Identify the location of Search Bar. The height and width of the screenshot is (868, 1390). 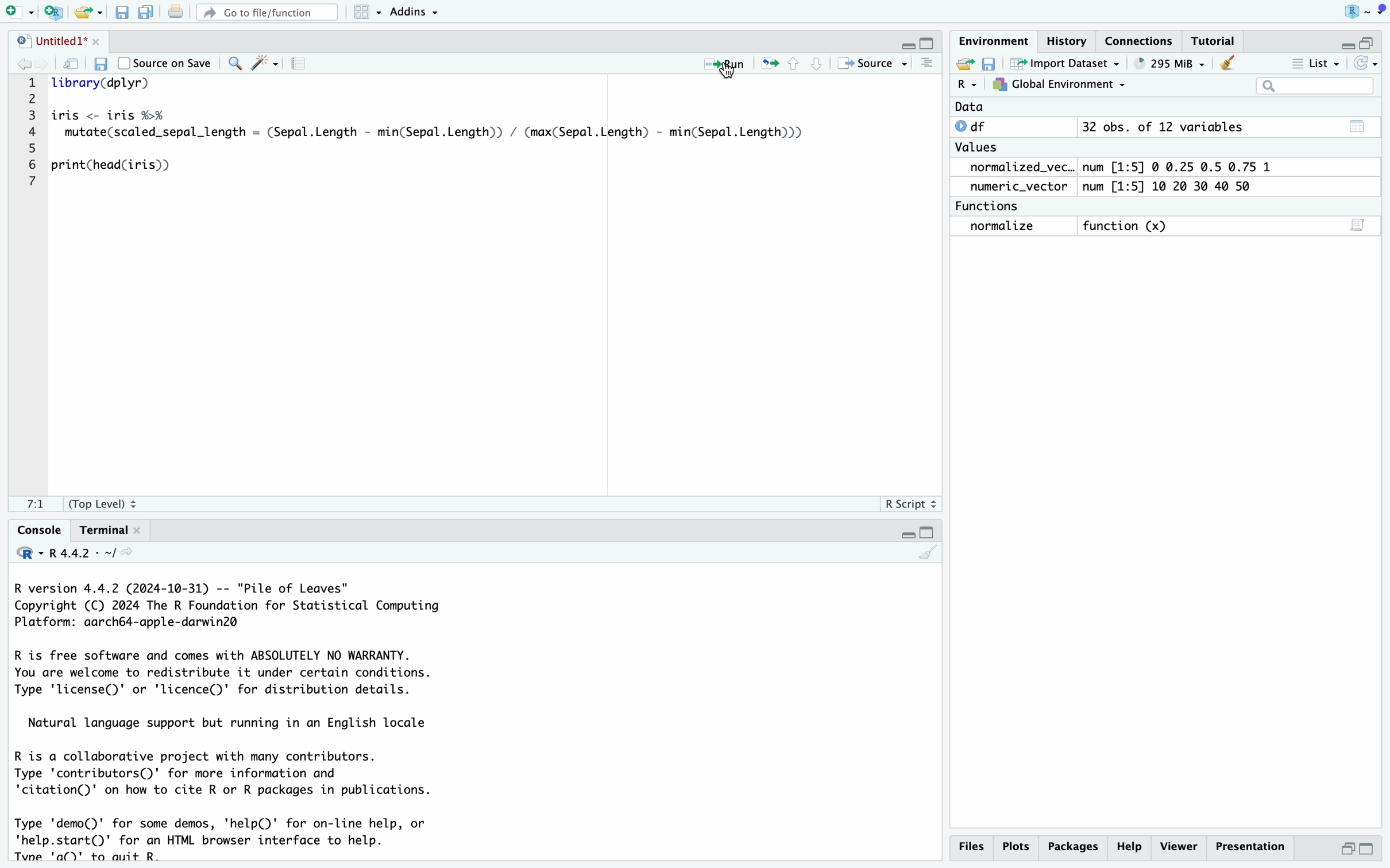
(1314, 87).